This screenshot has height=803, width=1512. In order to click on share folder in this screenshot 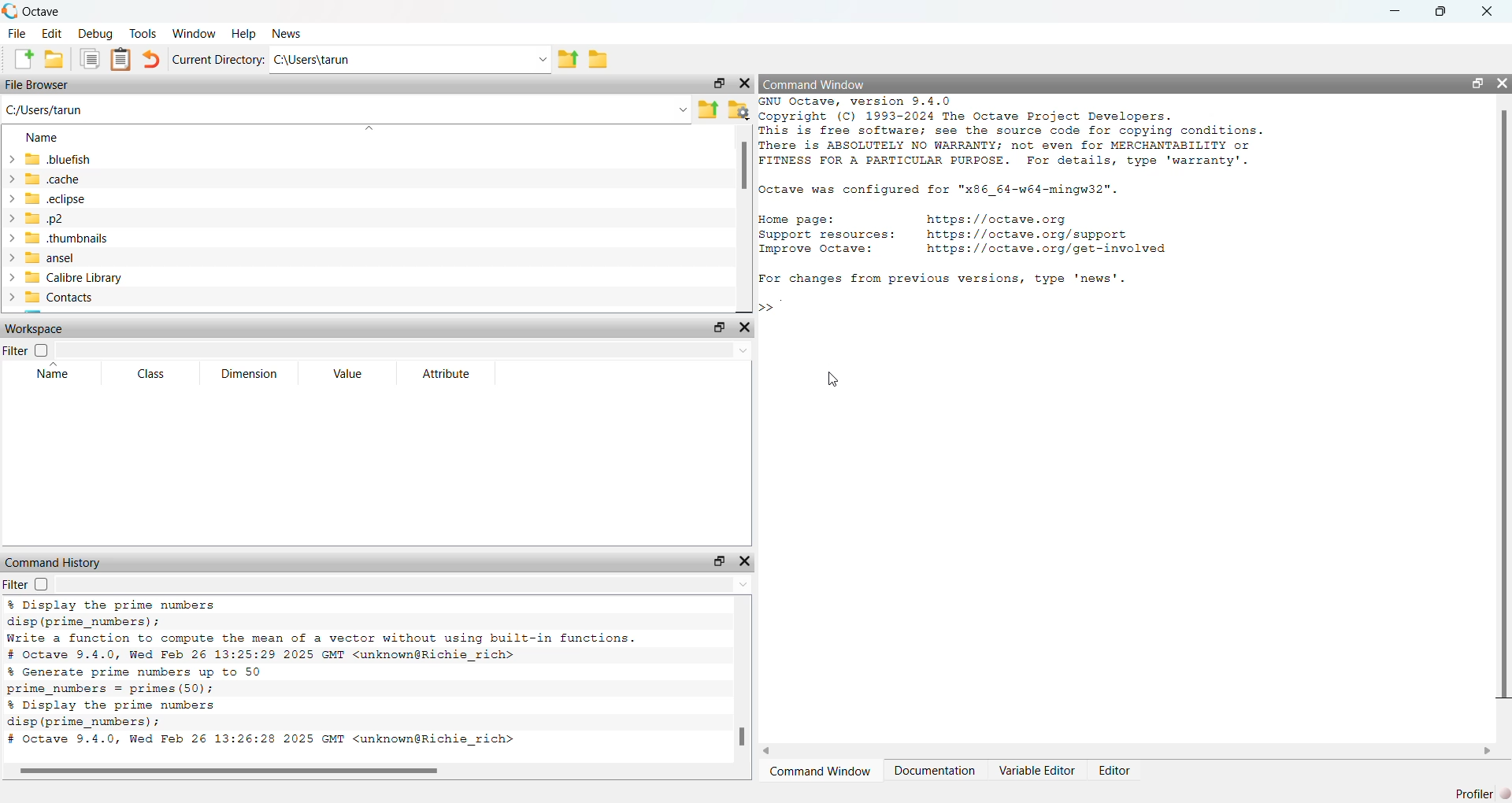, I will do `click(567, 60)`.